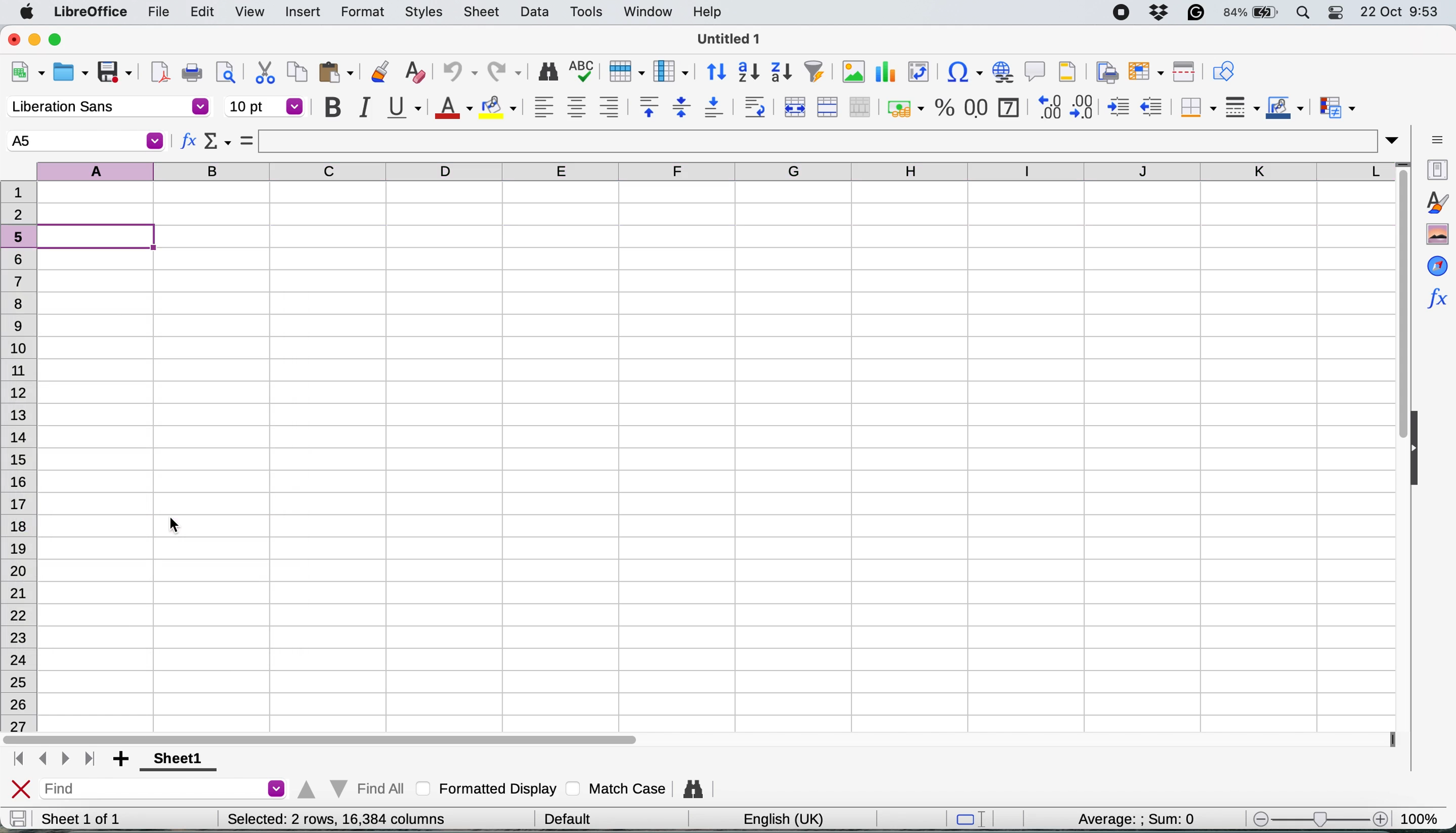 The image size is (1456, 833). I want to click on insert hyperlink, so click(1001, 71).